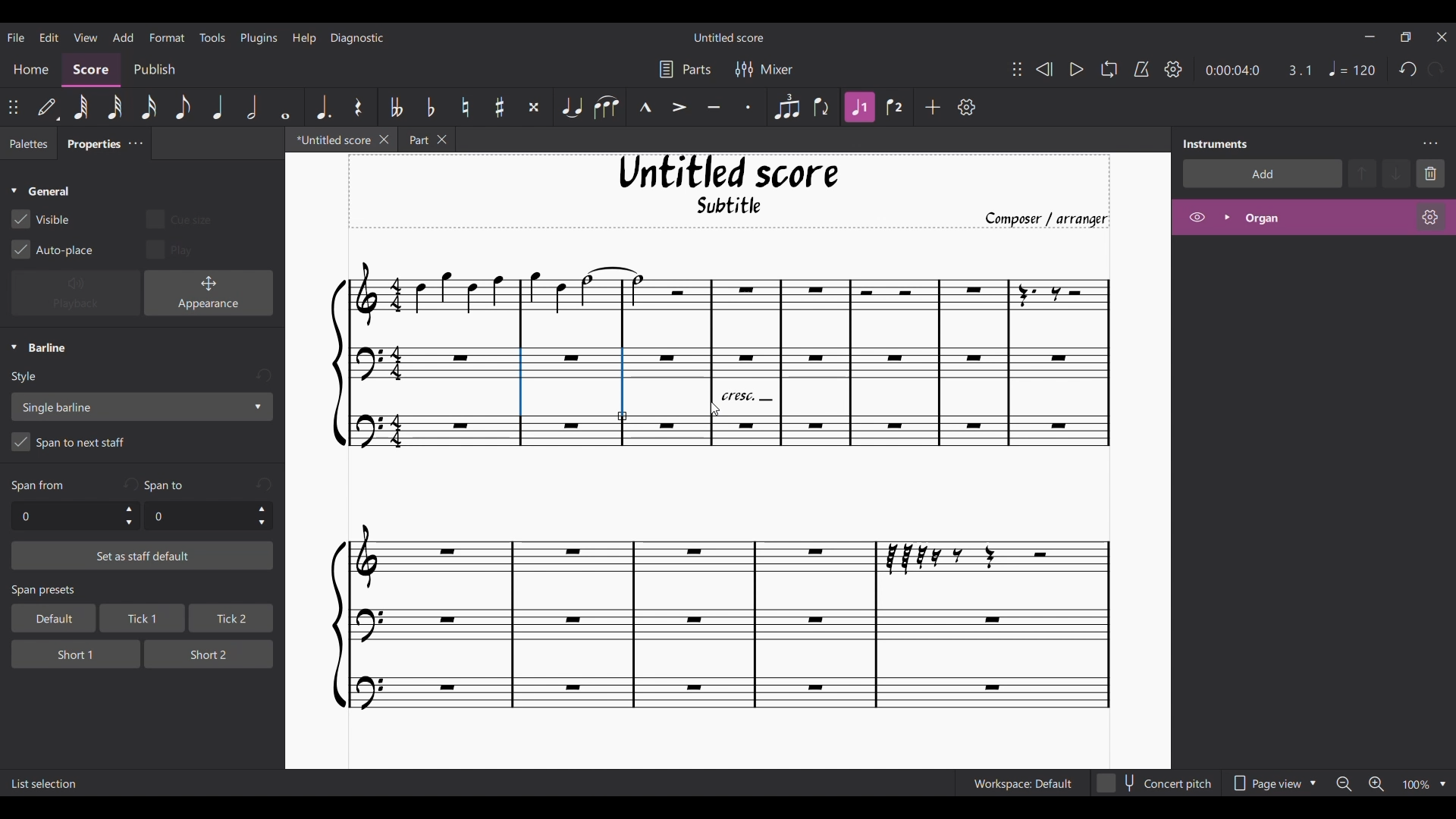 The height and width of the screenshot is (819, 1456). Describe the element at coordinates (41, 192) in the screenshot. I see `Collapse General` at that location.